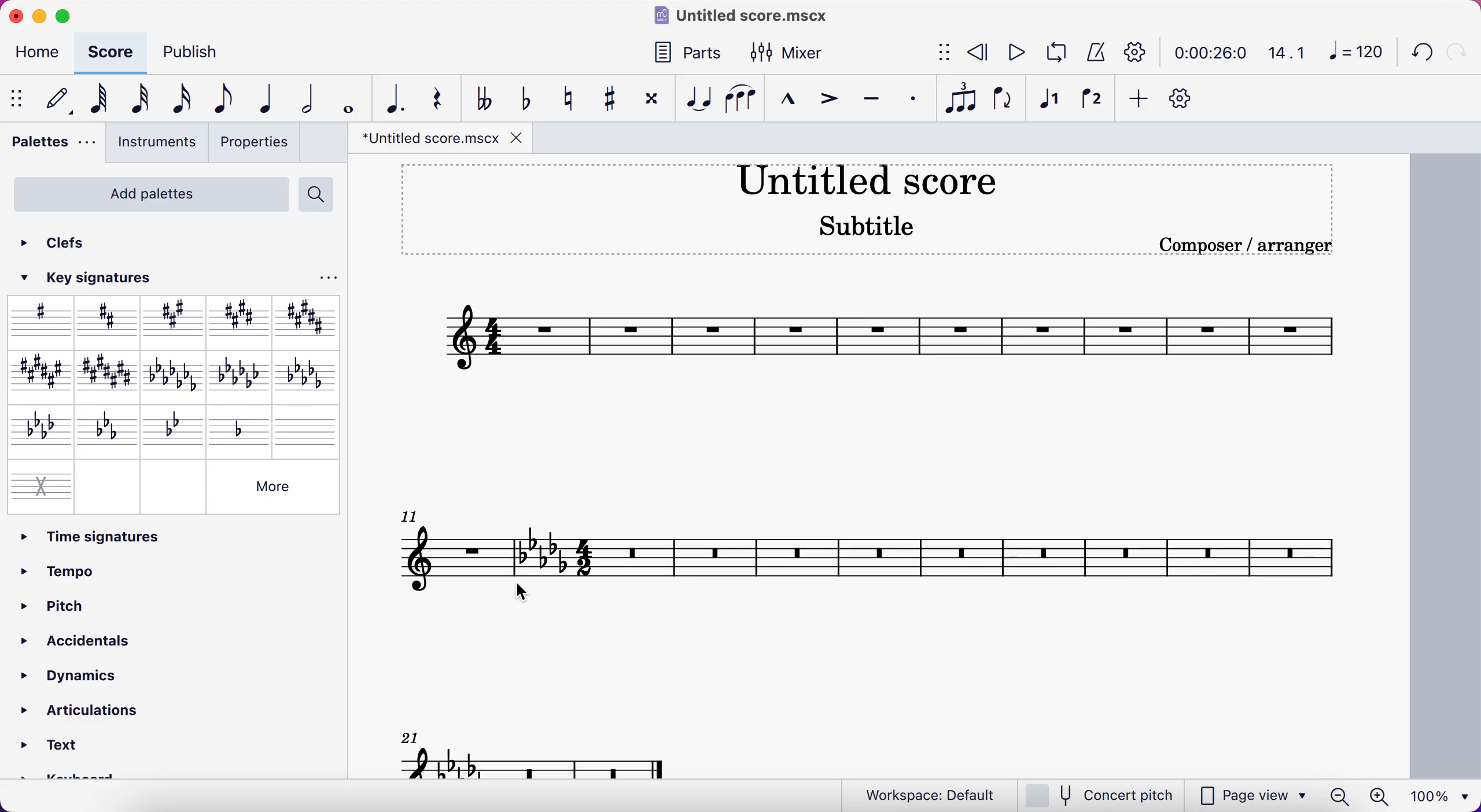  What do you see at coordinates (37, 376) in the screenshot?
I see `F major` at bounding box center [37, 376].